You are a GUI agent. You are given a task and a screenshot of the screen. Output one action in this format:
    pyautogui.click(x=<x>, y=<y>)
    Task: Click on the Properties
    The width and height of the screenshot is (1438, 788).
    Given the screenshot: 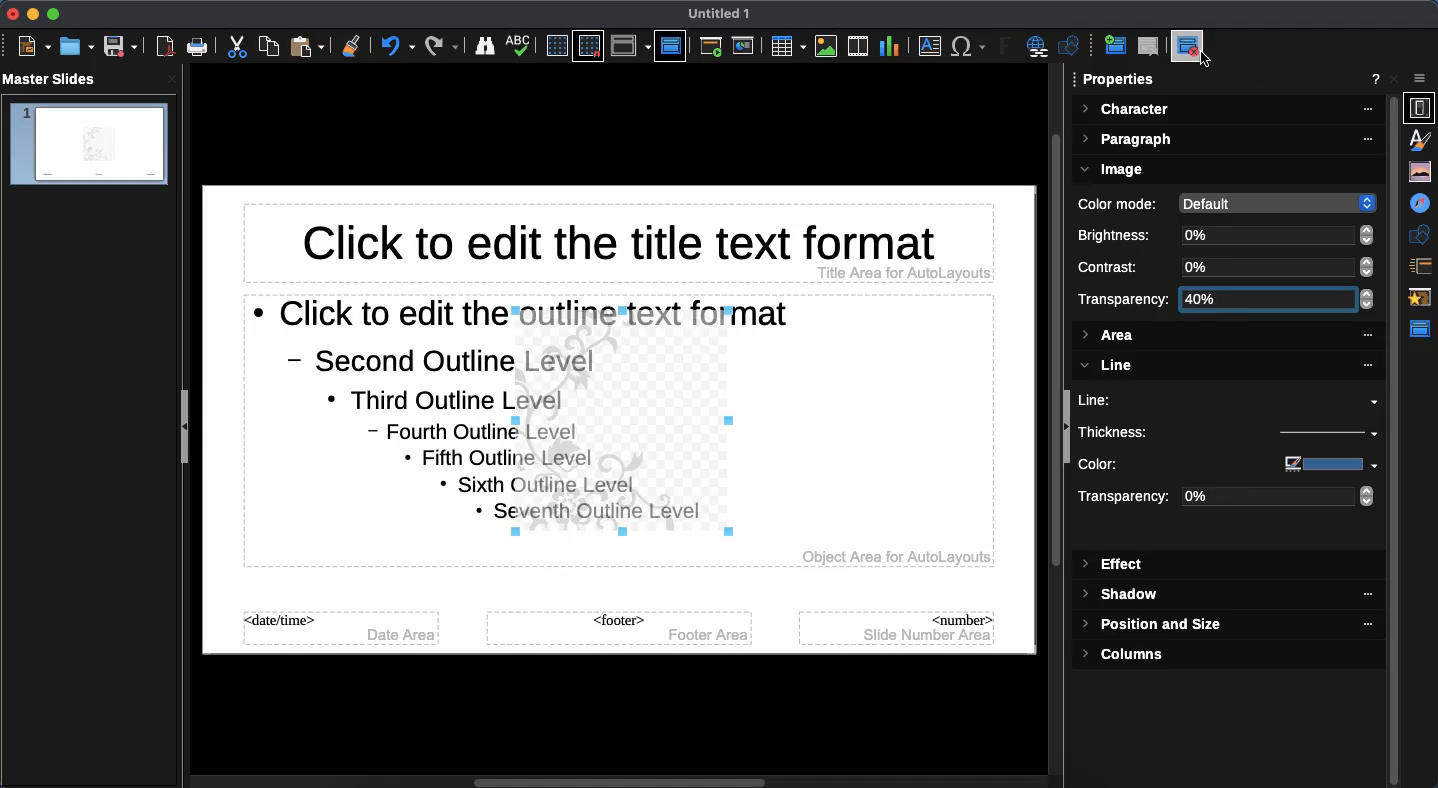 What is the action you would take?
    pyautogui.click(x=1421, y=109)
    